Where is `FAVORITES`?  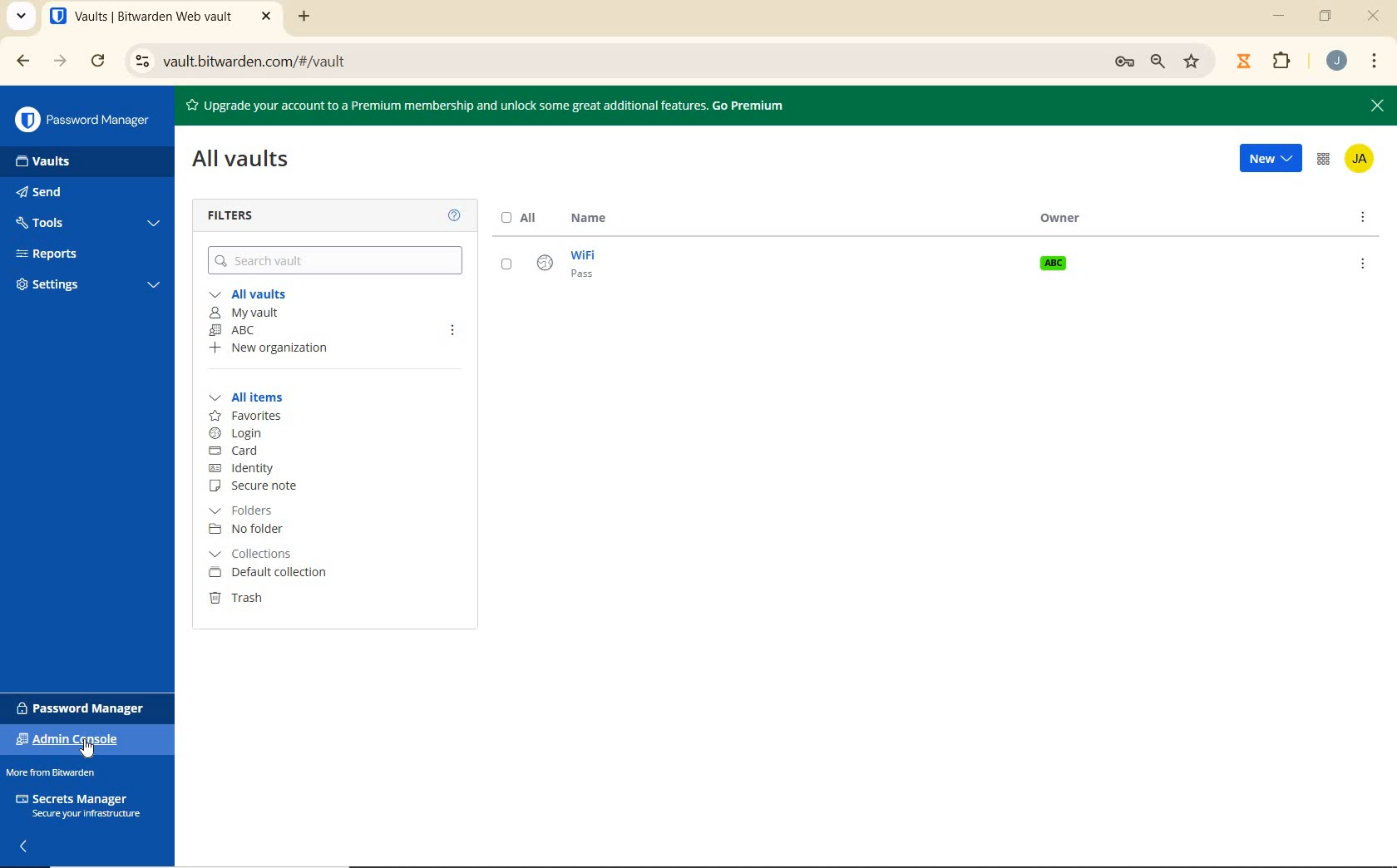 FAVORITES is located at coordinates (246, 416).